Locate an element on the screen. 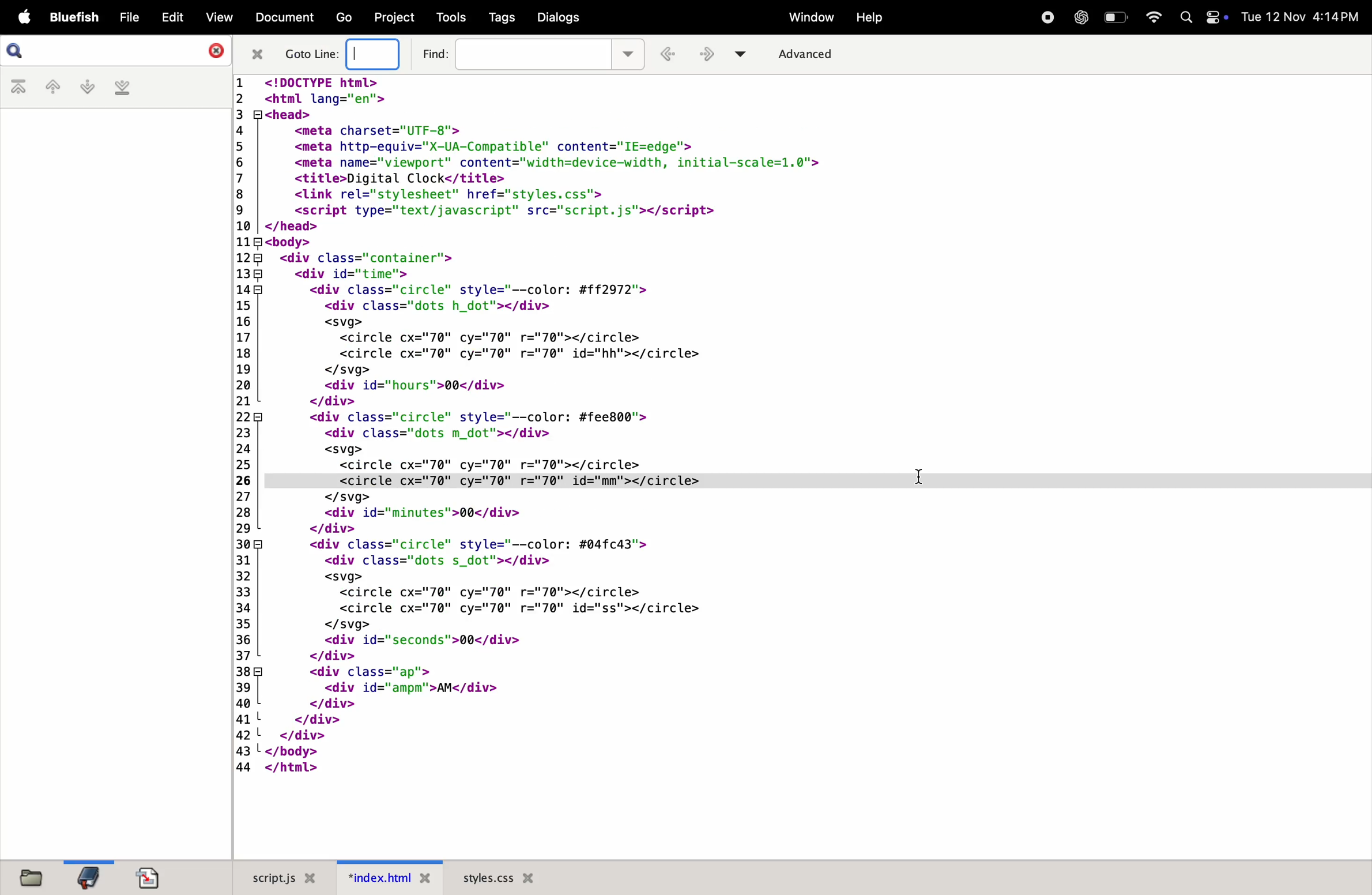 The image size is (1372, 895). advance is located at coordinates (815, 54).